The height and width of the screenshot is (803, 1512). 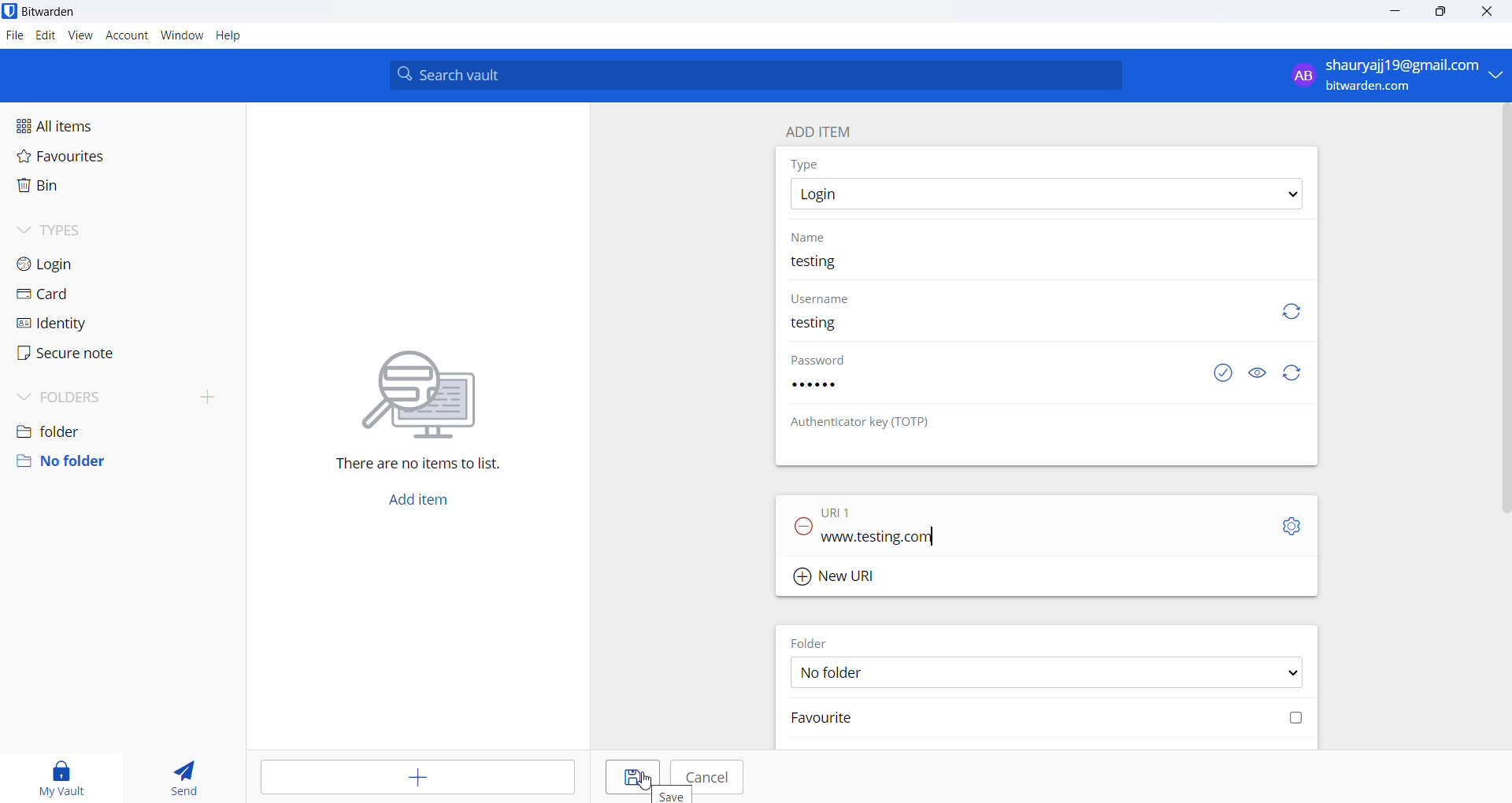 I want to click on login, so click(x=82, y=265).